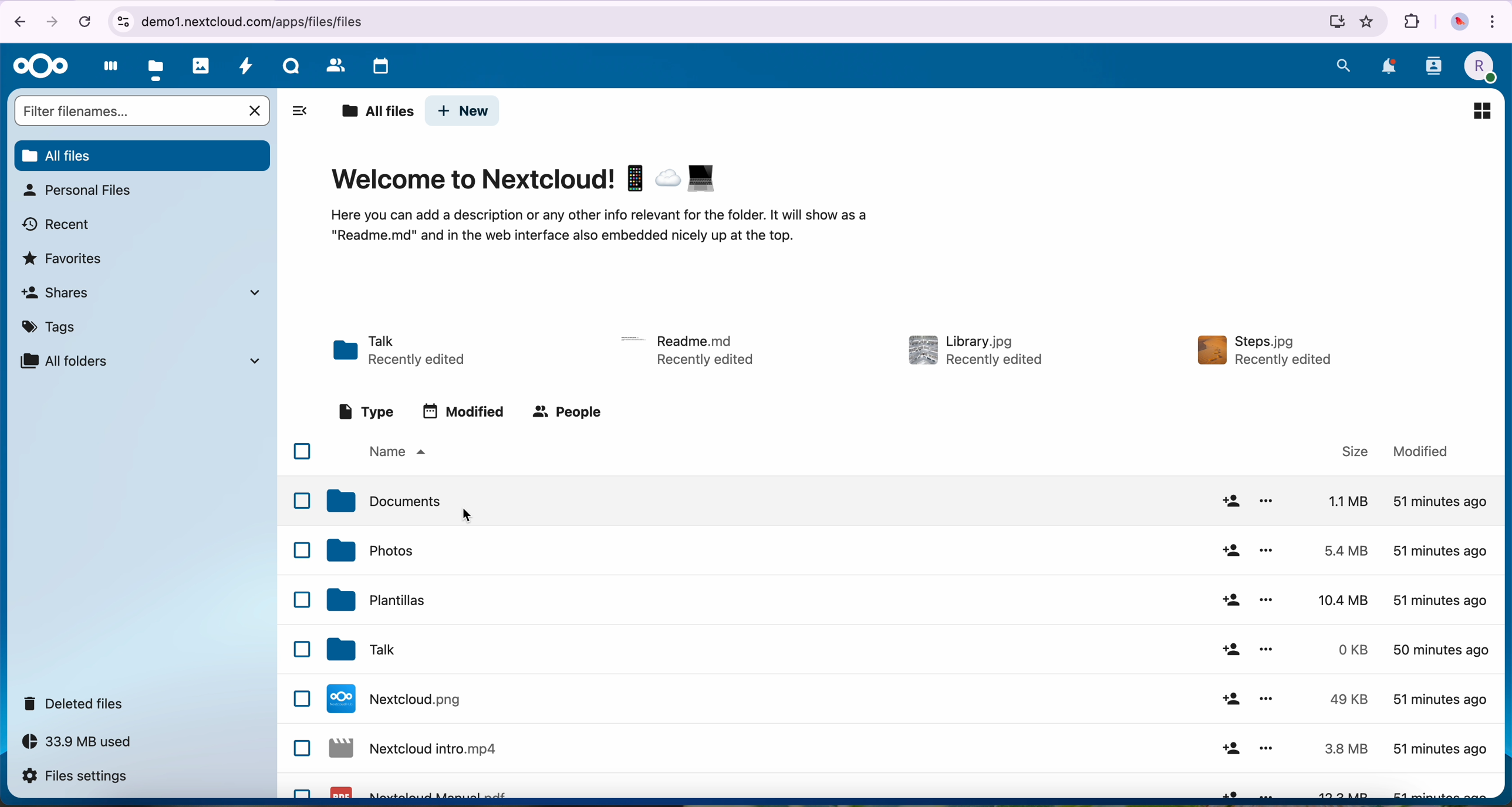  What do you see at coordinates (88, 745) in the screenshot?
I see `33.9 MB used` at bounding box center [88, 745].